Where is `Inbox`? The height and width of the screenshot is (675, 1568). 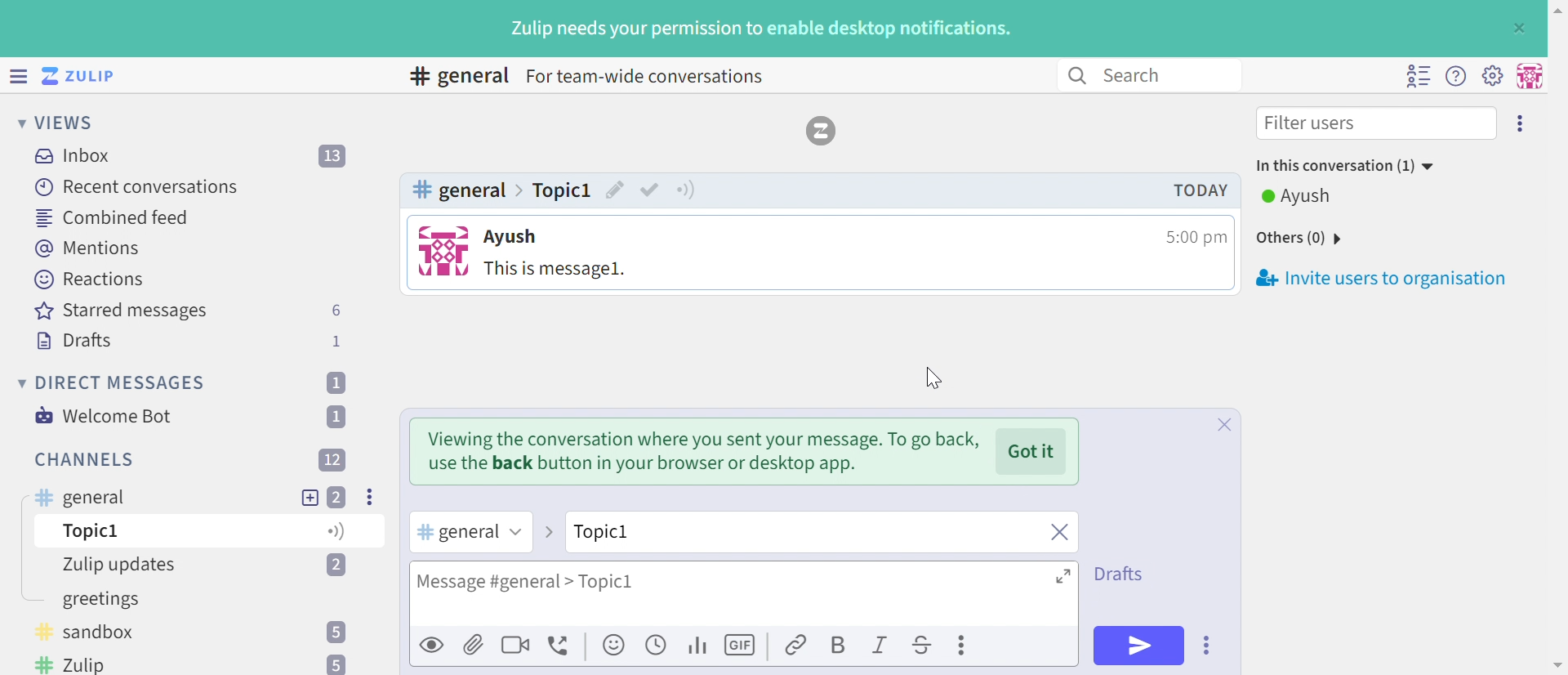 Inbox is located at coordinates (78, 156).